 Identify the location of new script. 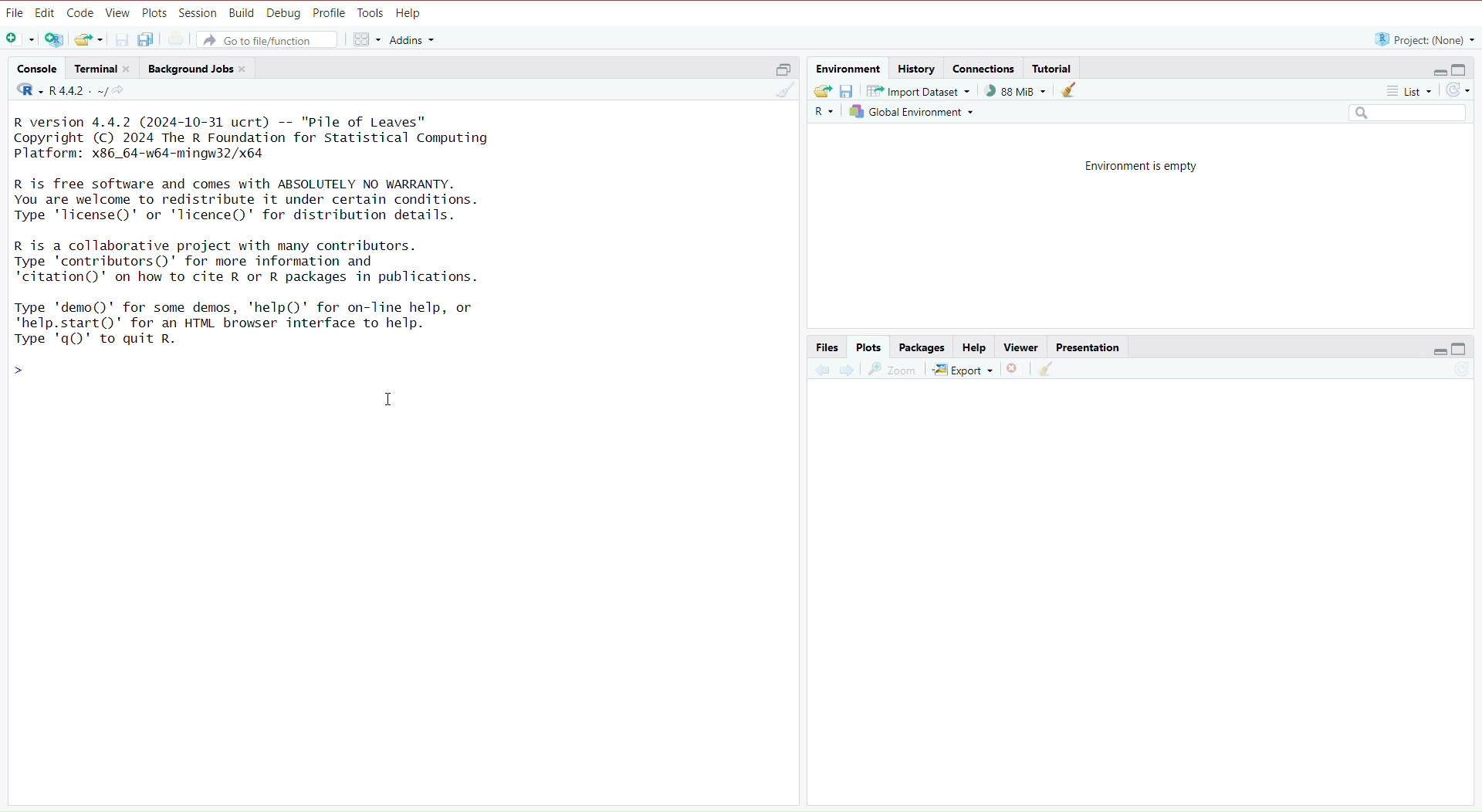
(18, 40).